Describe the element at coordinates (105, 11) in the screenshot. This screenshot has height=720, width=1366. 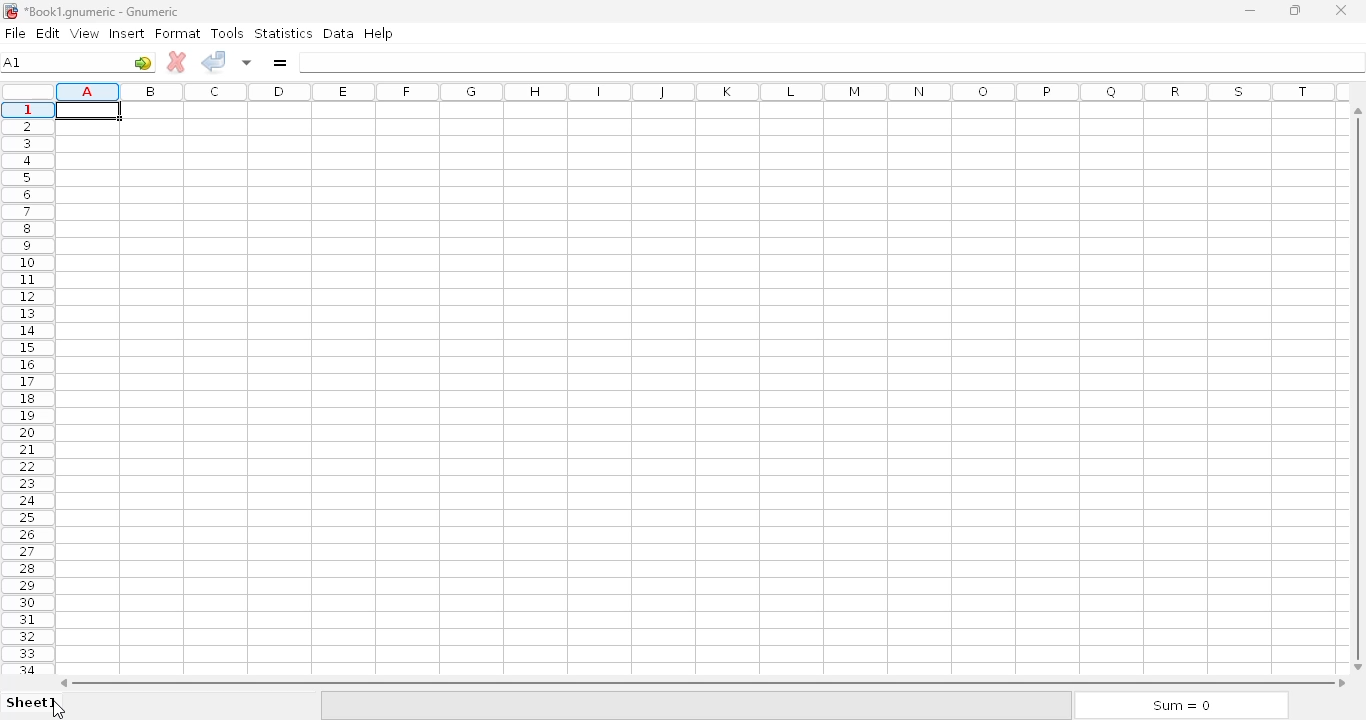
I see `*Book1.gnumeric - Gnumeric` at that location.